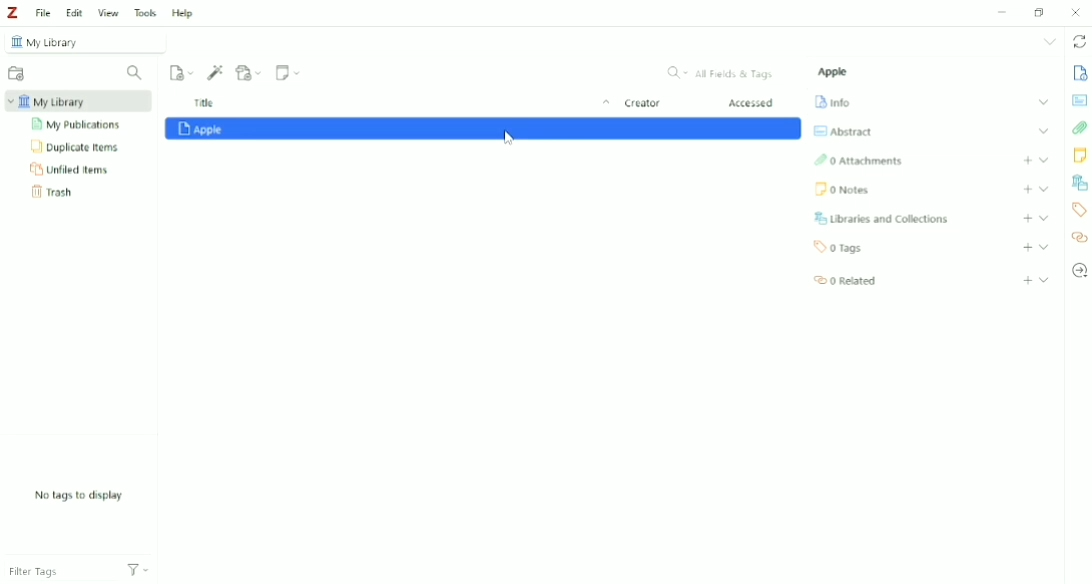  Describe the element at coordinates (1048, 43) in the screenshot. I see `List all tabs` at that location.